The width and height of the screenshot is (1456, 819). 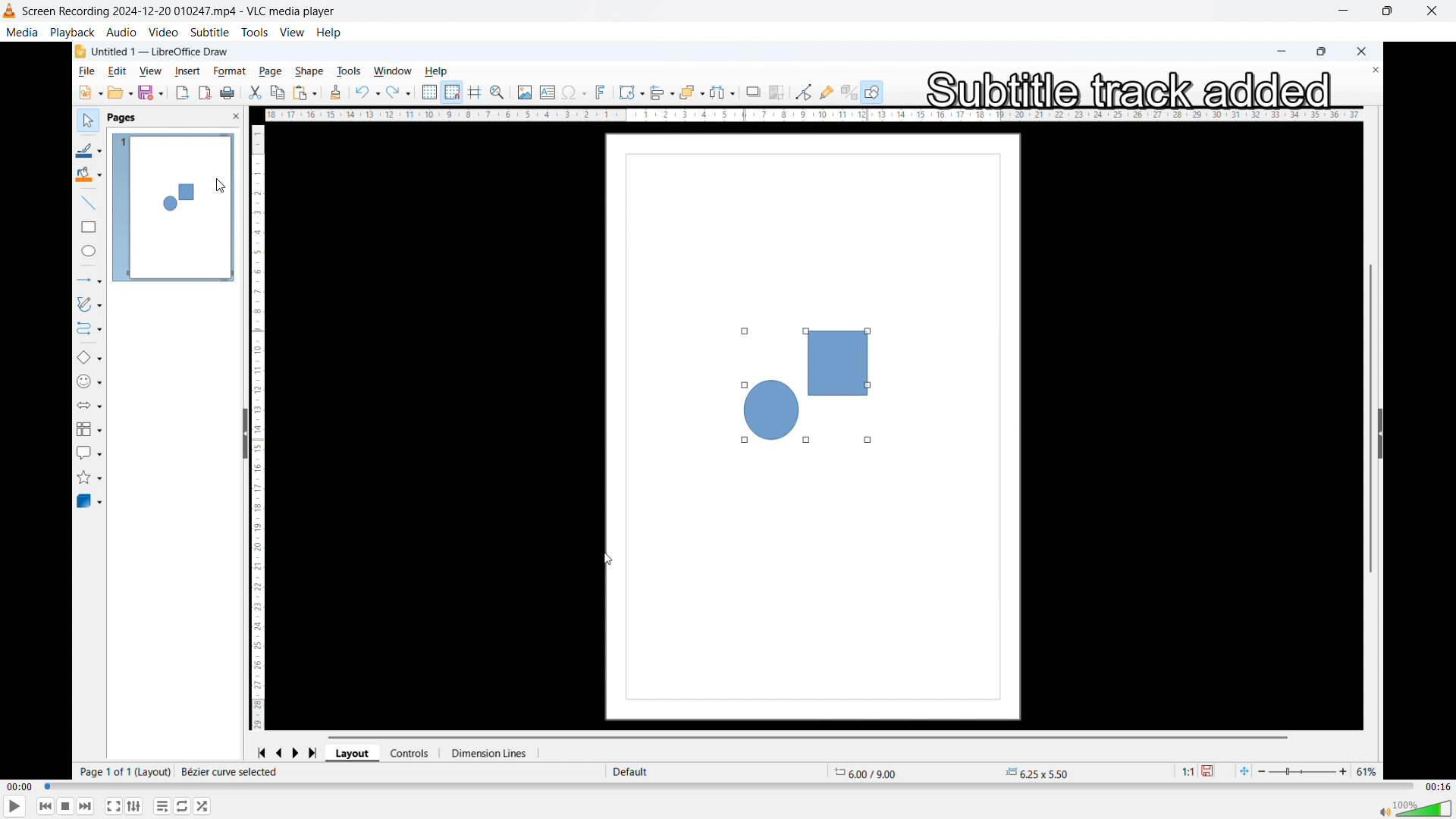 I want to click on print, so click(x=229, y=93).